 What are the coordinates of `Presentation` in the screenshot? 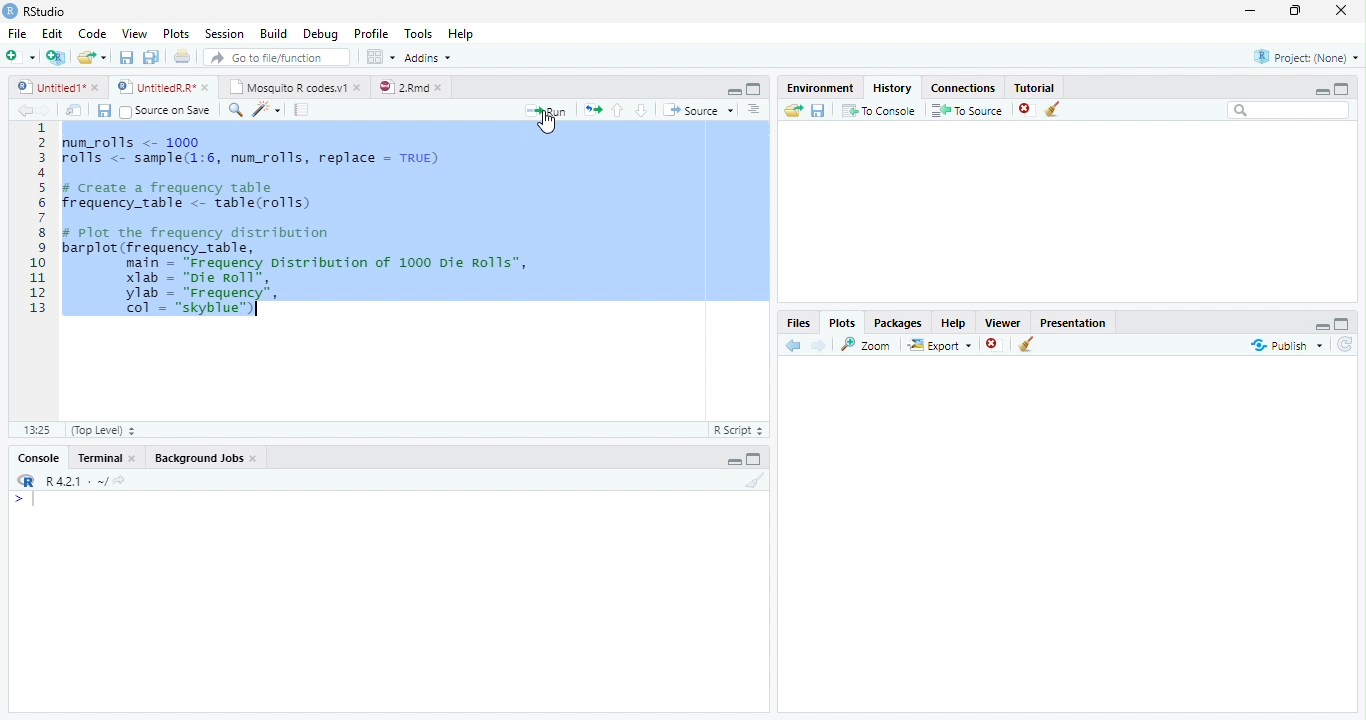 It's located at (1073, 322).